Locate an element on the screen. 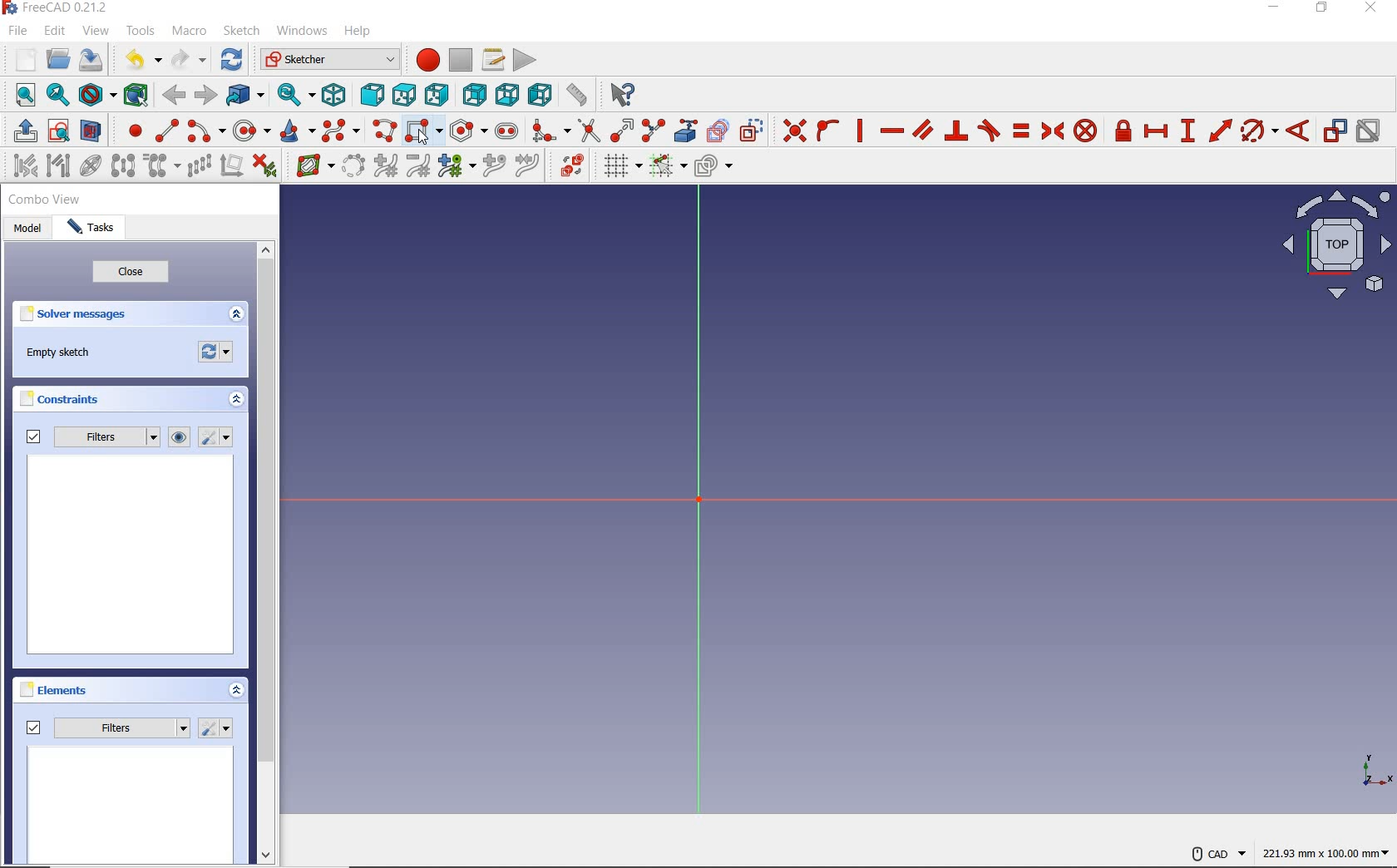 This screenshot has height=868, width=1397. measure distance is located at coordinates (576, 96).